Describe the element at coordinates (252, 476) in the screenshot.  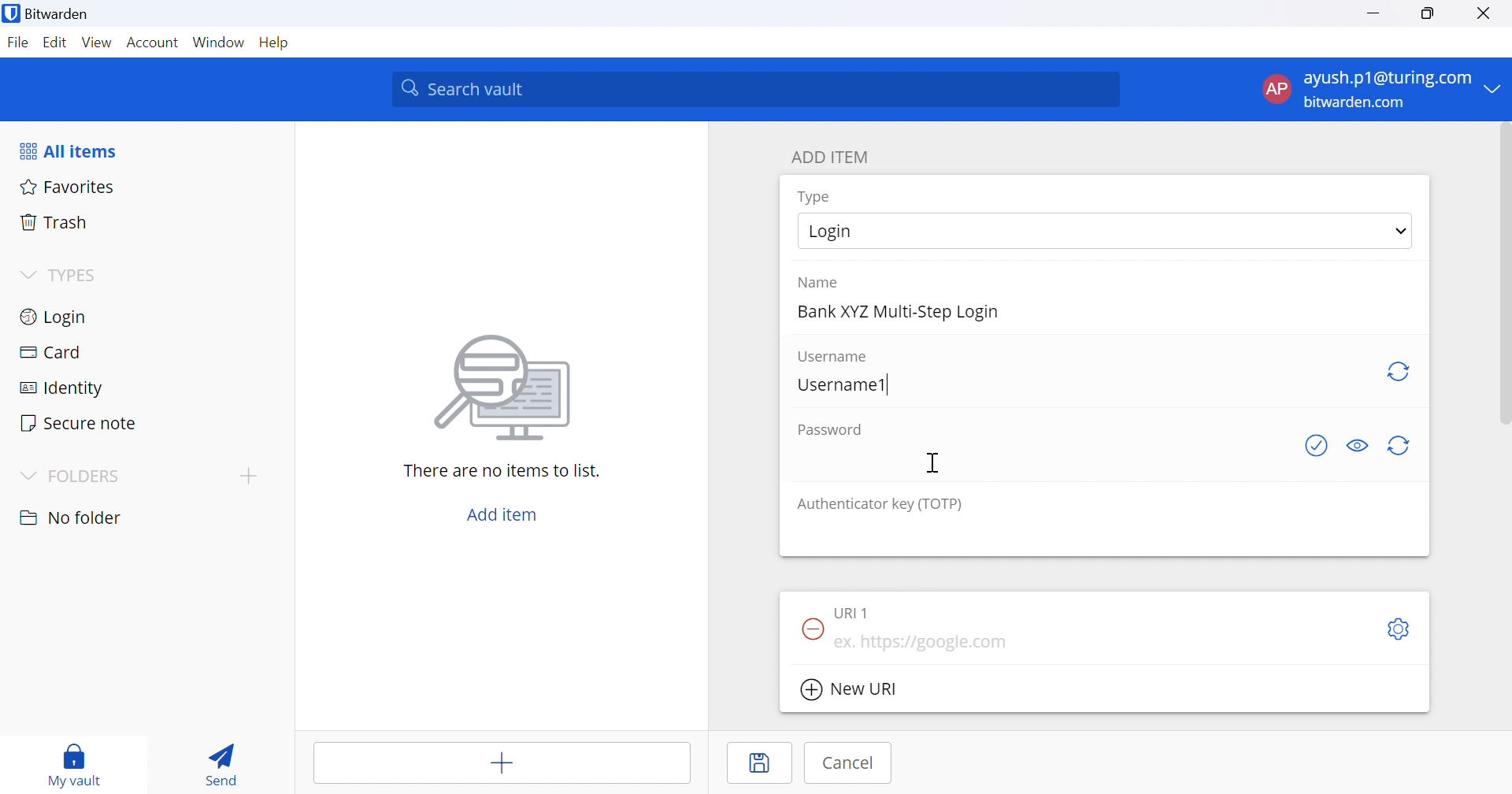
I see `add folder` at that location.